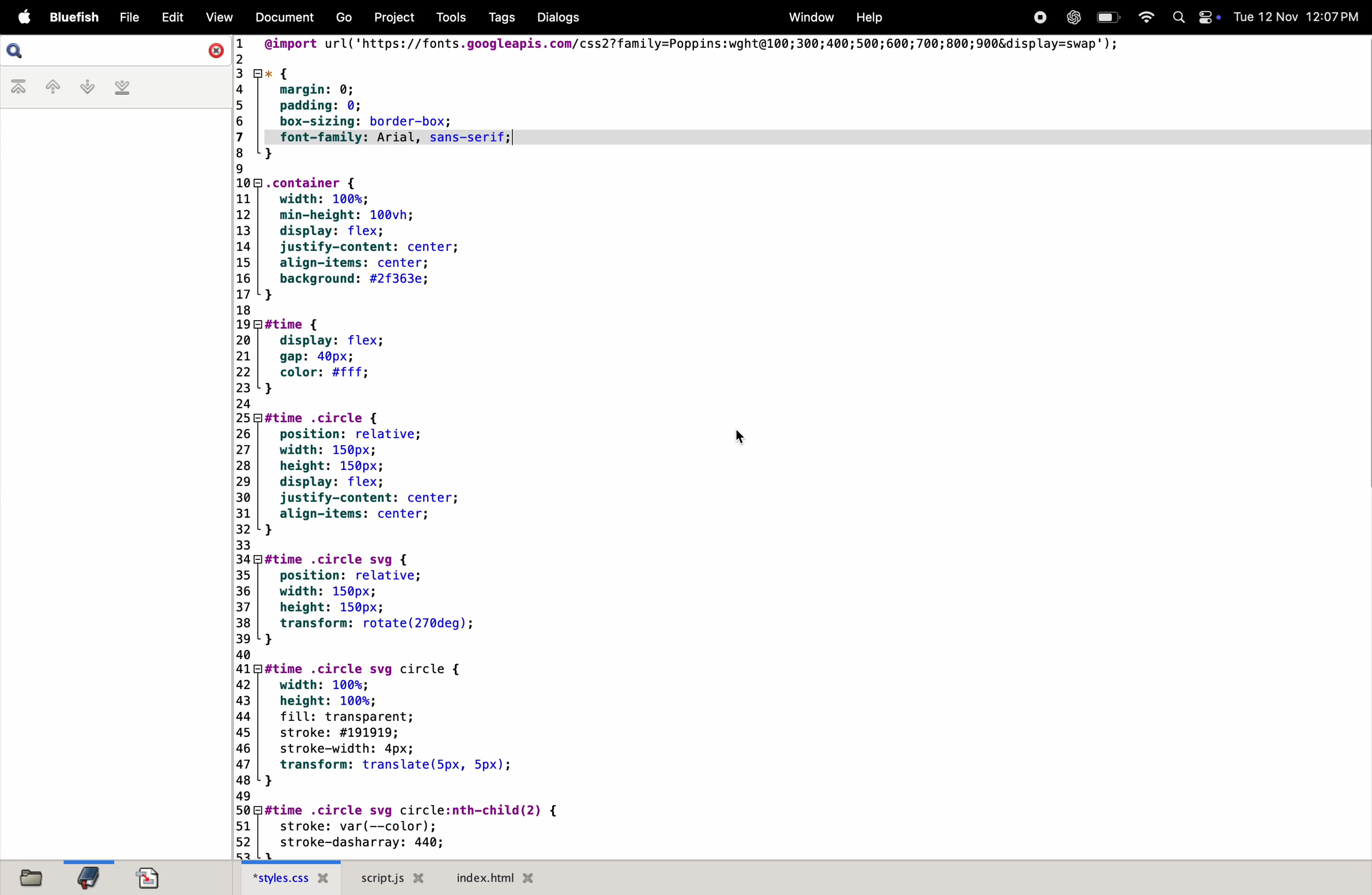 The image size is (1372, 895). What do you see at coordinates (492, 877) in the screenshot?
I see `index.html` at bounding box center [492, 877].